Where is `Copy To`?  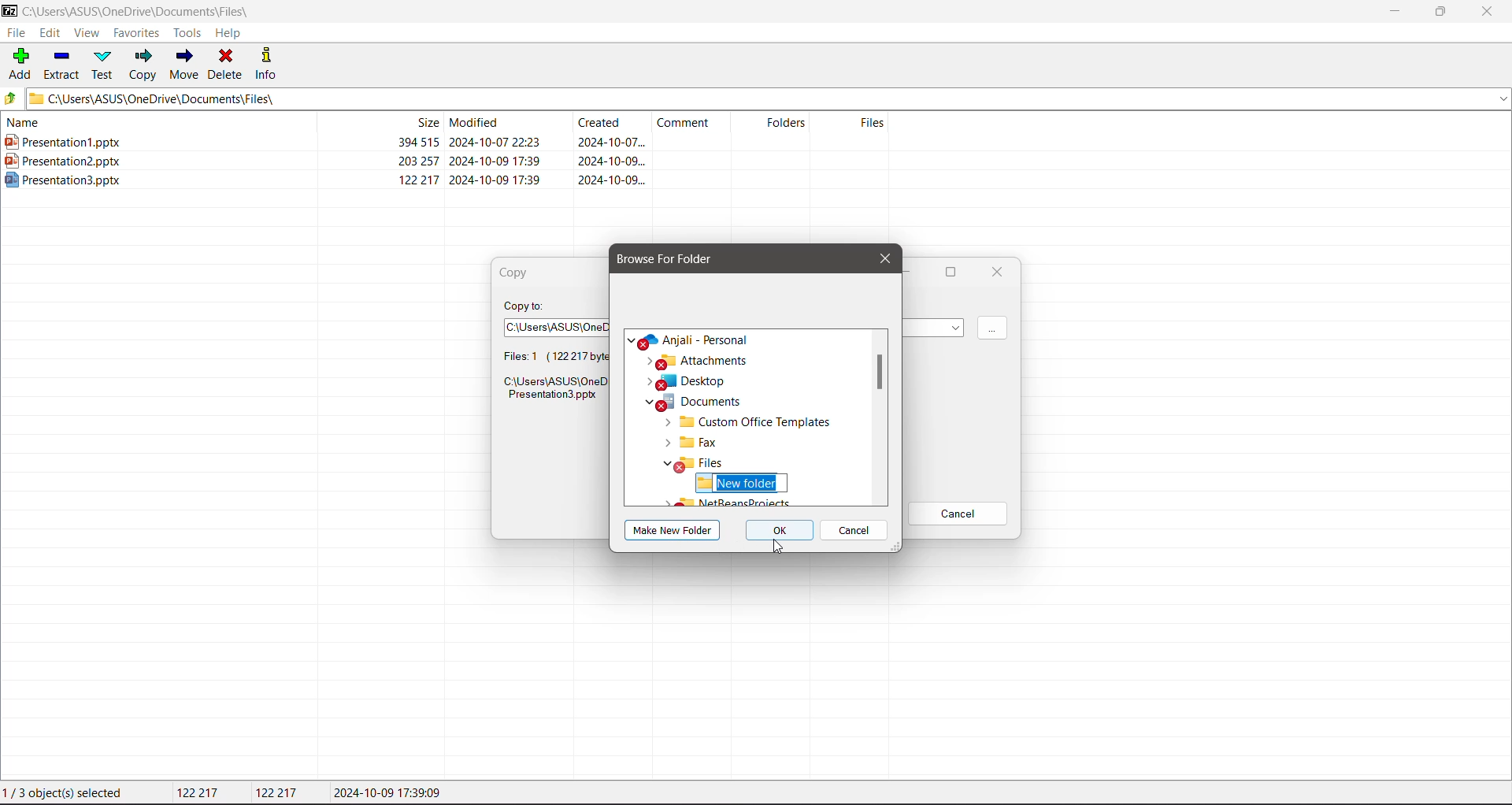
Copy To is located at coordinates (526, 305).